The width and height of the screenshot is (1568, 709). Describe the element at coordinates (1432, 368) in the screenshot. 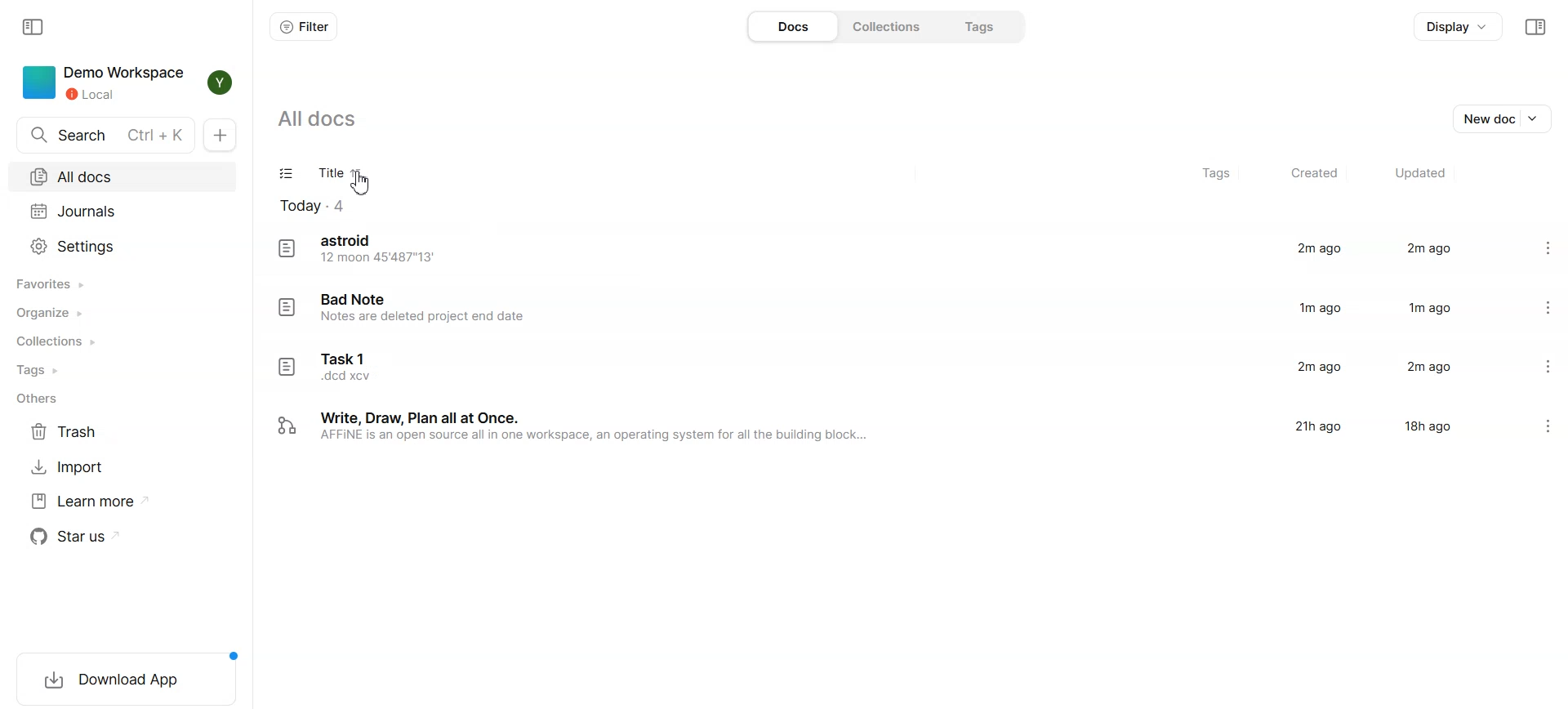

I see `2m ago` at that location.